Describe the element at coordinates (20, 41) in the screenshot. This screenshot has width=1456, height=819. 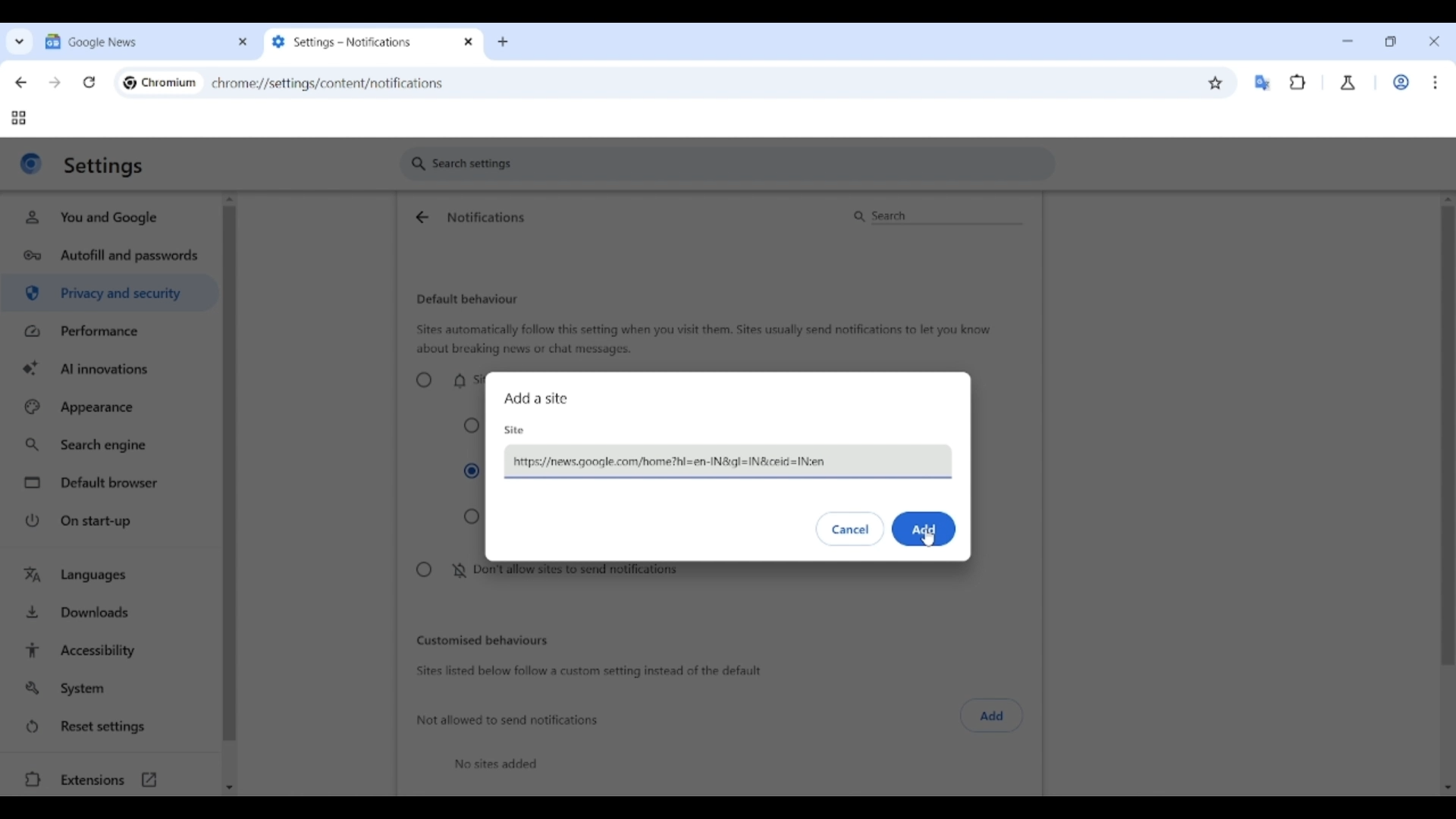
I see `Search tabs` at that location.